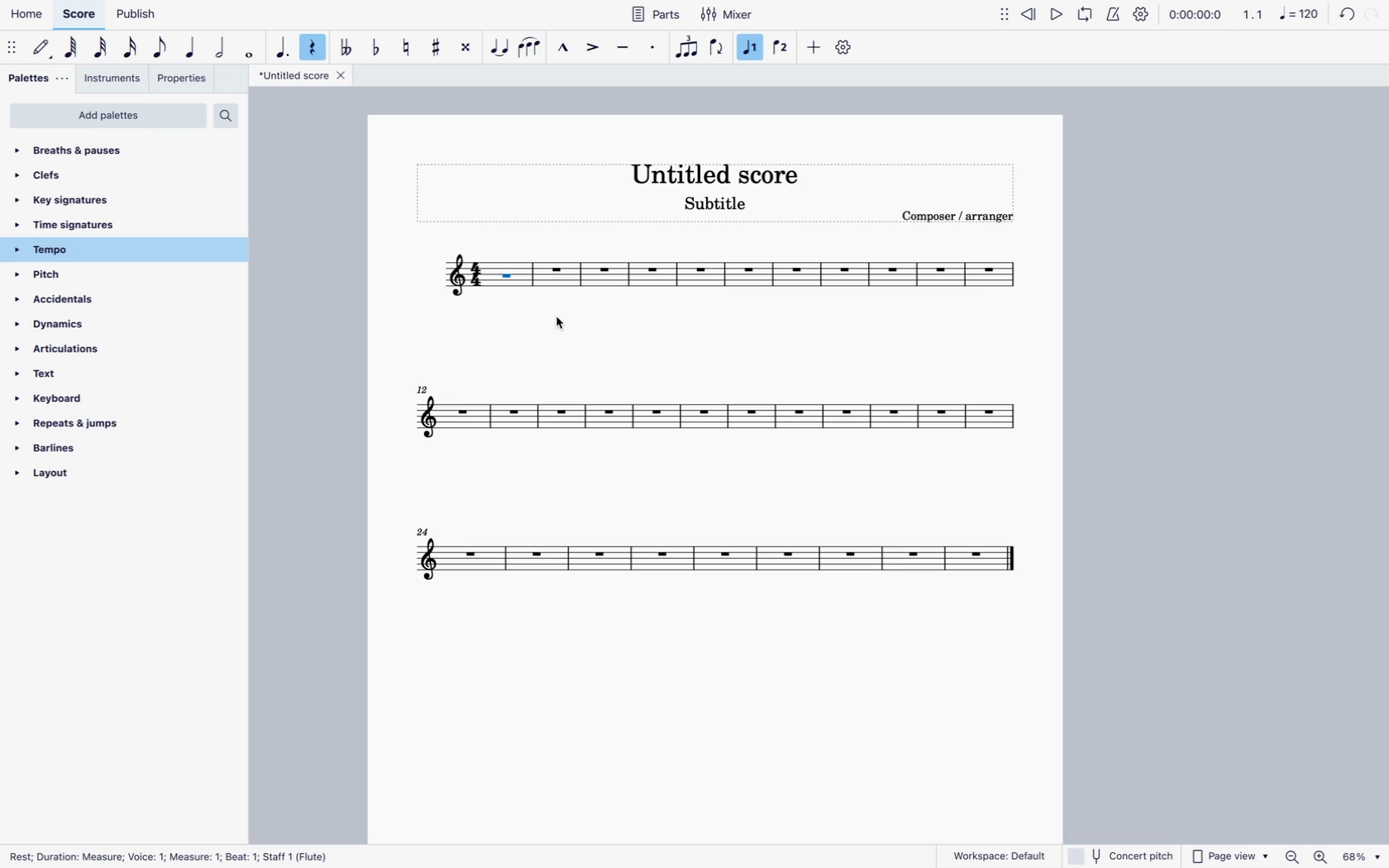 This screenshot has width=1389, height=868. Describe the element at coordinates (1121, 856) in the screenshot. I see `concert pitch` at that location.